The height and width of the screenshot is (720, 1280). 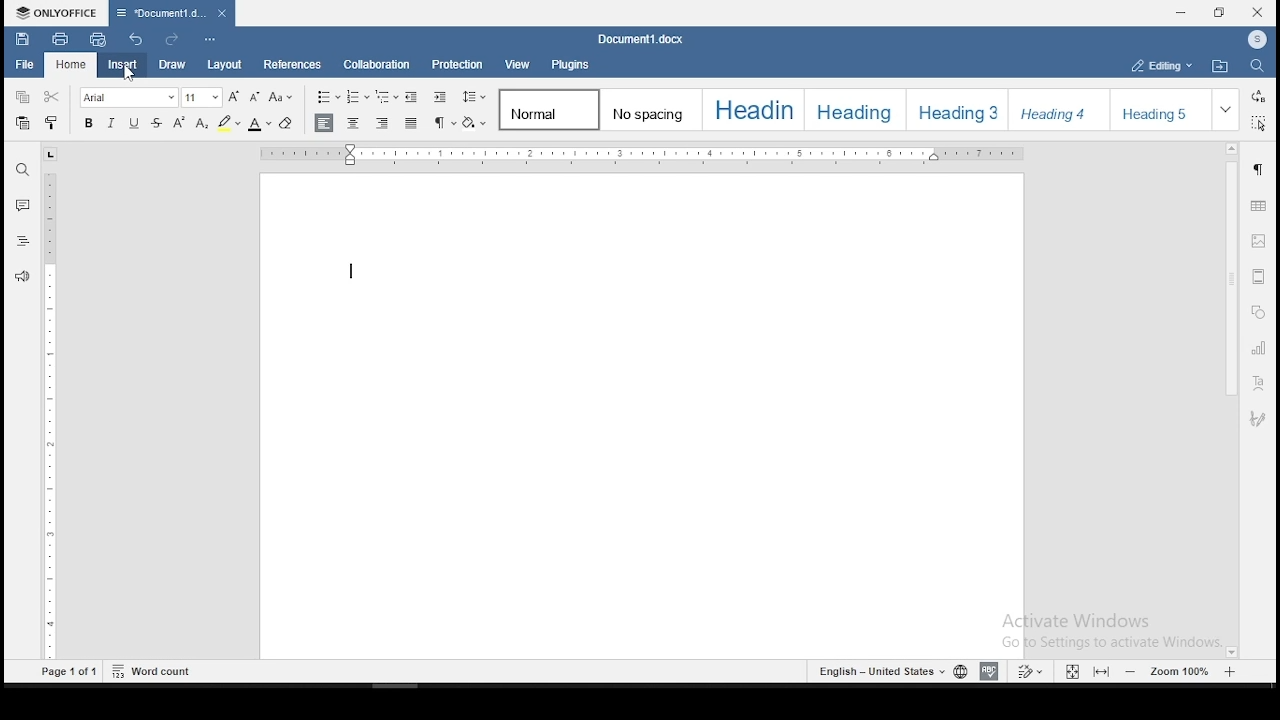 What do you see at coordinates (475, 121) in the screenshot?
I see `shading` at bounding box center [475, 121].